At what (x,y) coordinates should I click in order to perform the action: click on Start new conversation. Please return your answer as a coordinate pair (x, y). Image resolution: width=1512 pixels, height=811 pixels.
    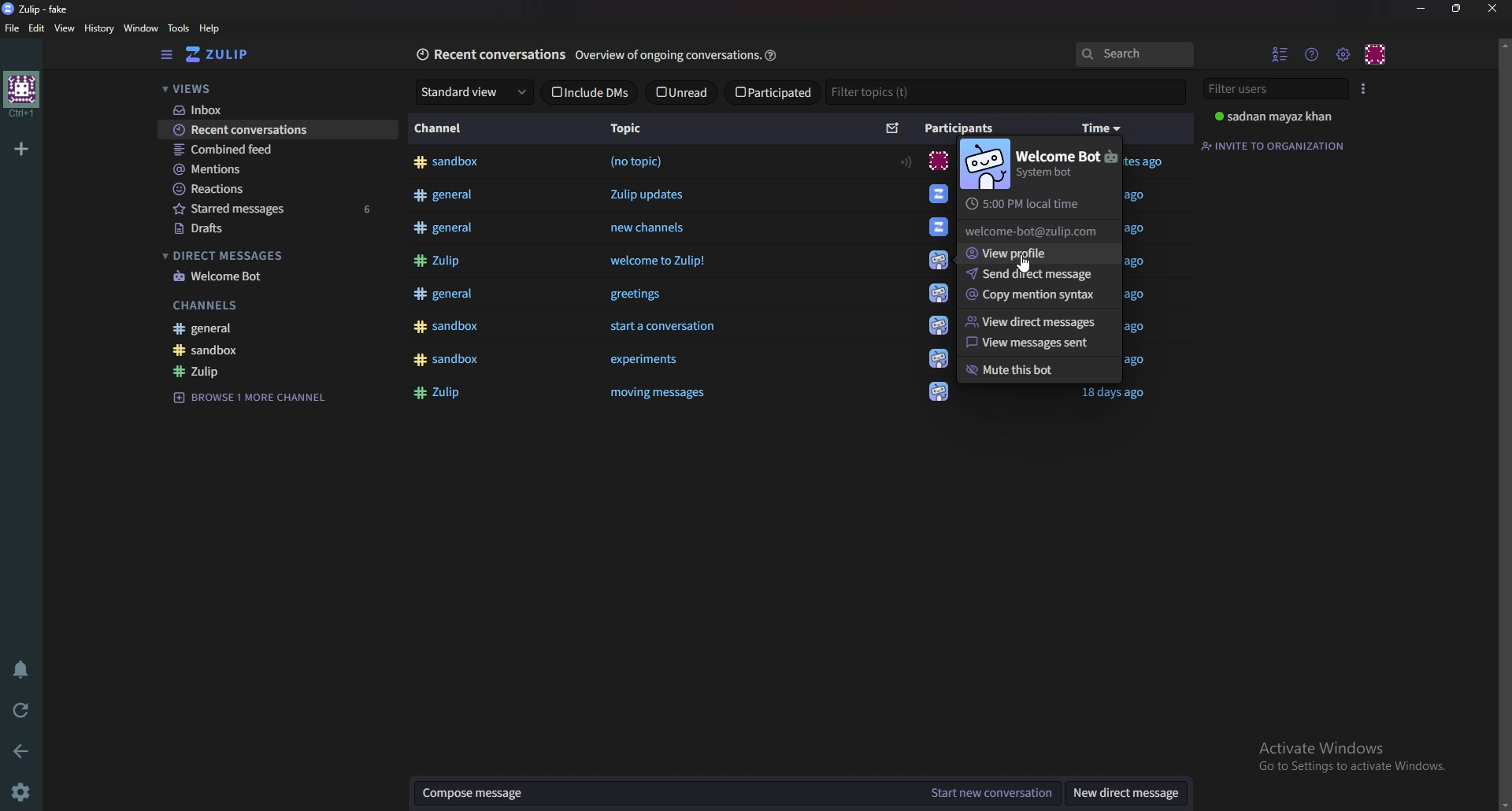
    Looking at the image, I should click on (995, 794).